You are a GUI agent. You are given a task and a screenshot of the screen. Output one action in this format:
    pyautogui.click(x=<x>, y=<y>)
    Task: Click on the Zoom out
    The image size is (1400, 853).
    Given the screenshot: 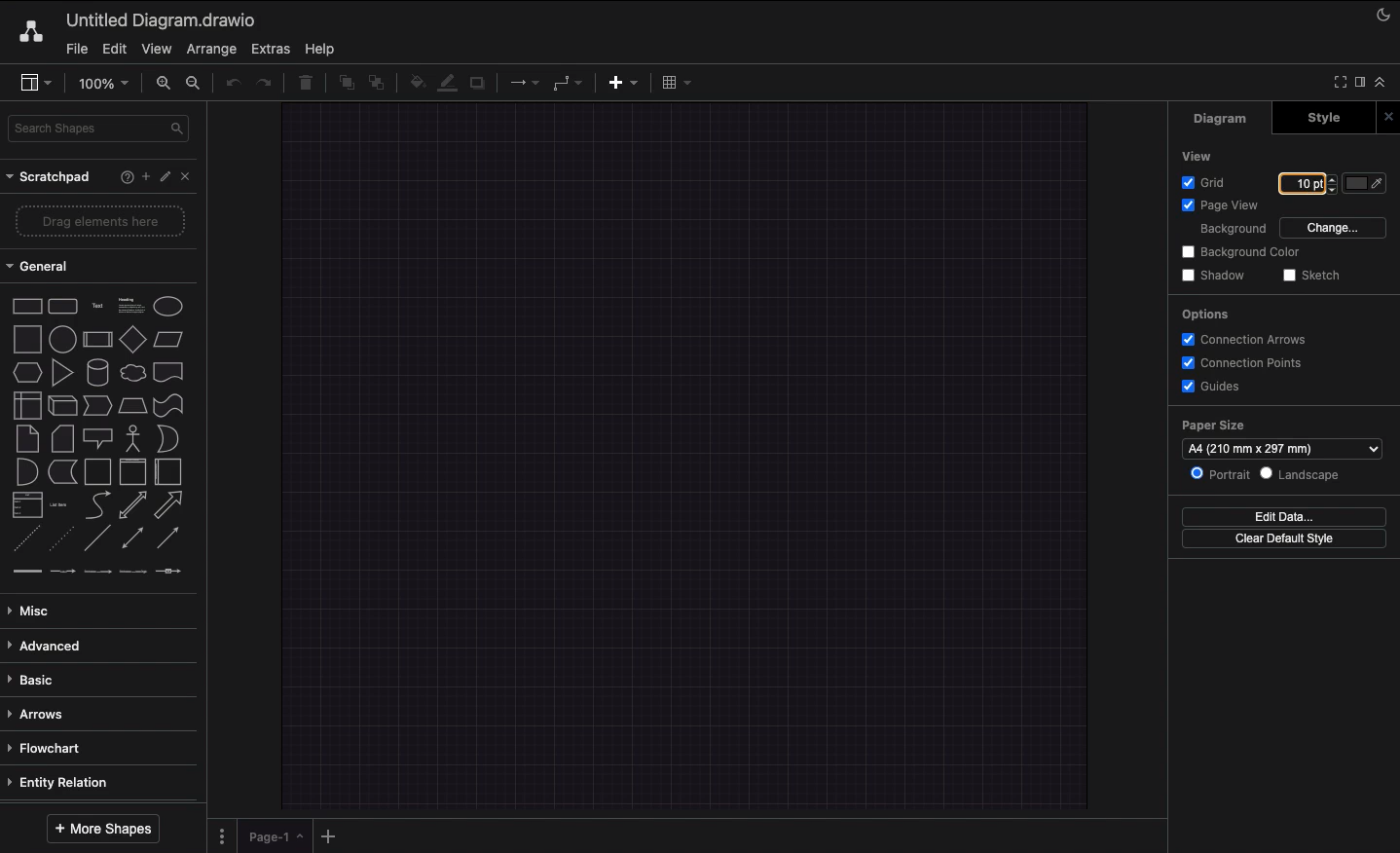 What is the action you would take?
    pyautogui.click(x=196, y=85)
    